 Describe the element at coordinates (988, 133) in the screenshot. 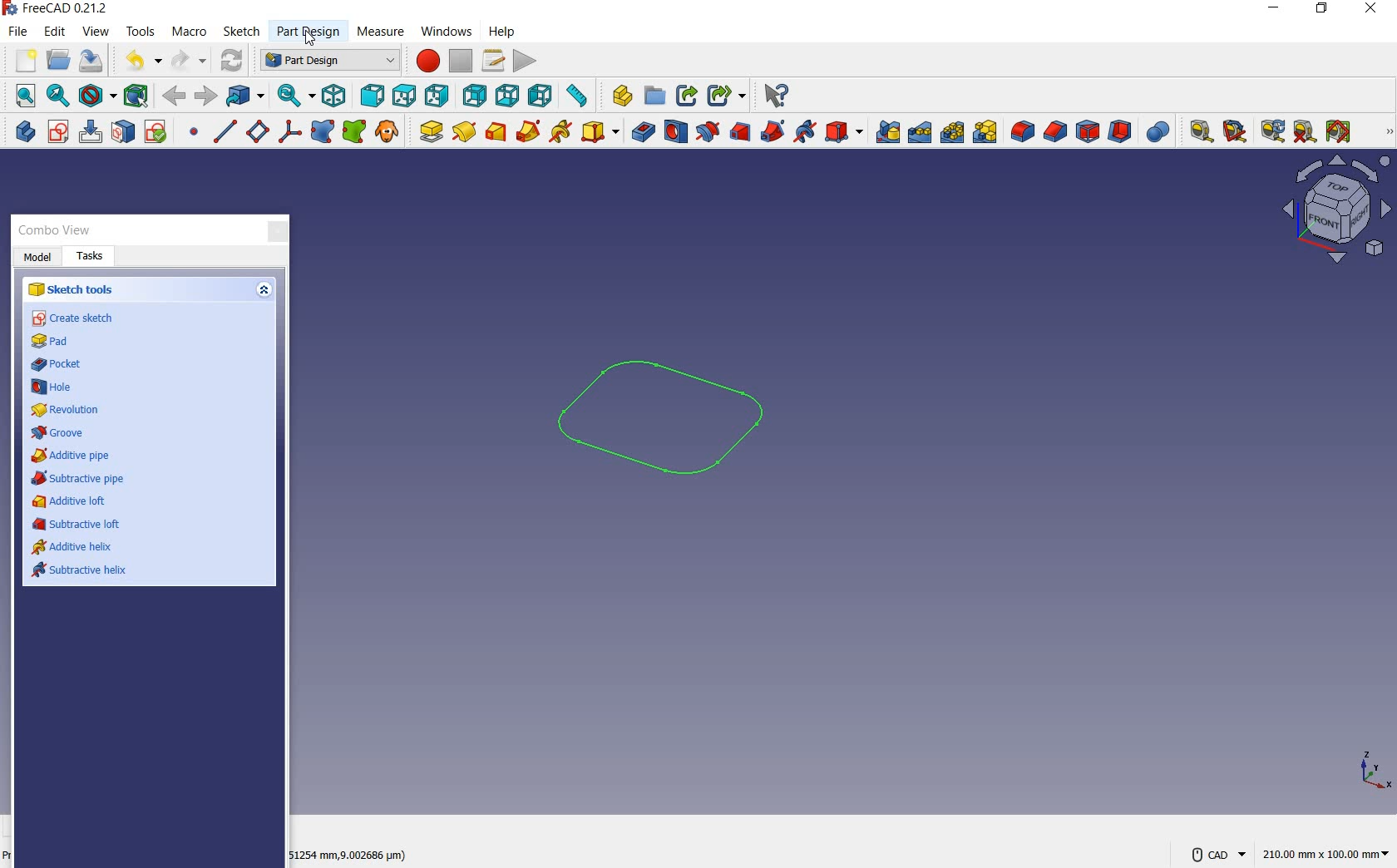

I see `create multitransform` at that location.